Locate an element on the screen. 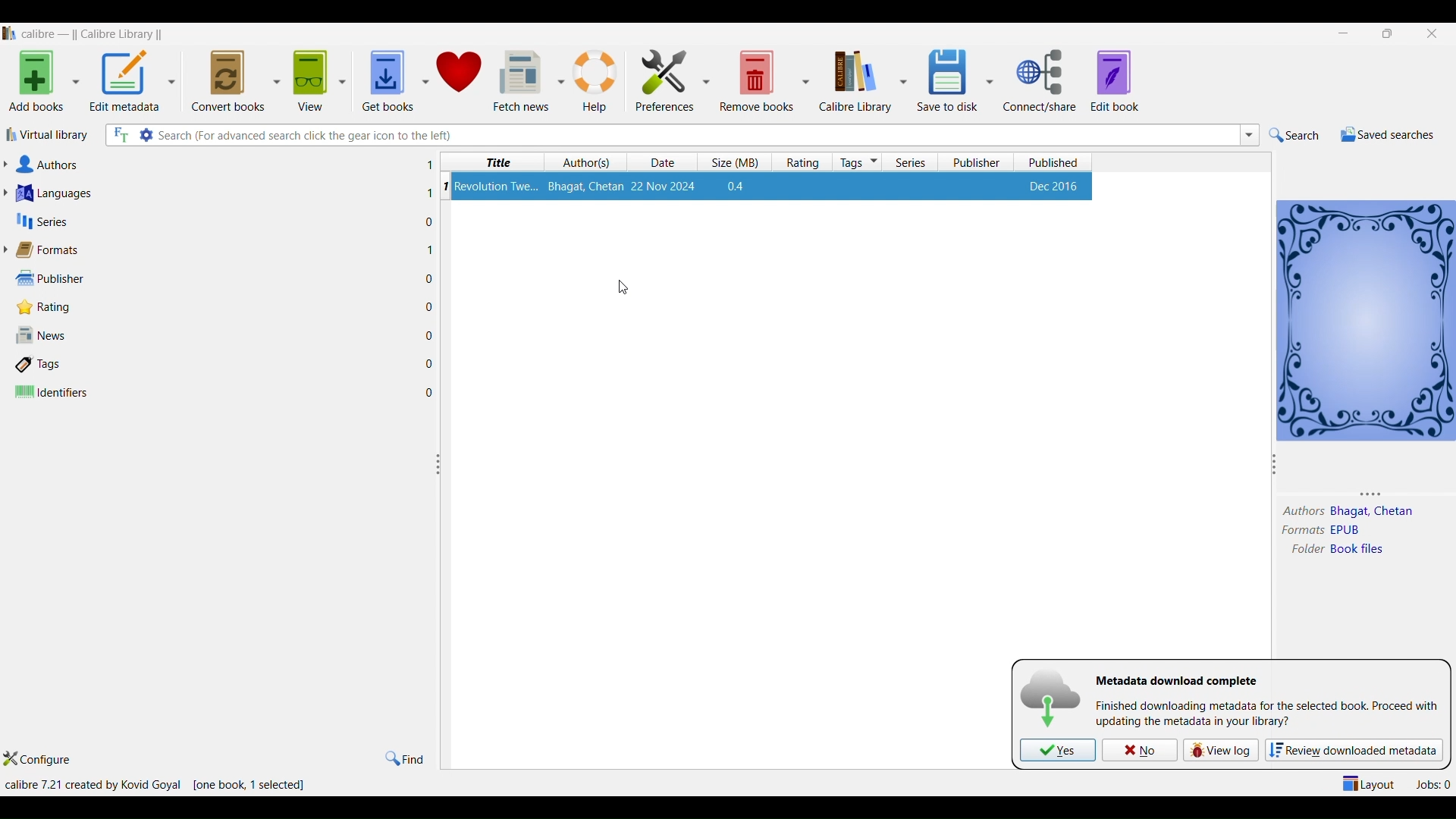  identifiers is located at coordinates (53, 393).